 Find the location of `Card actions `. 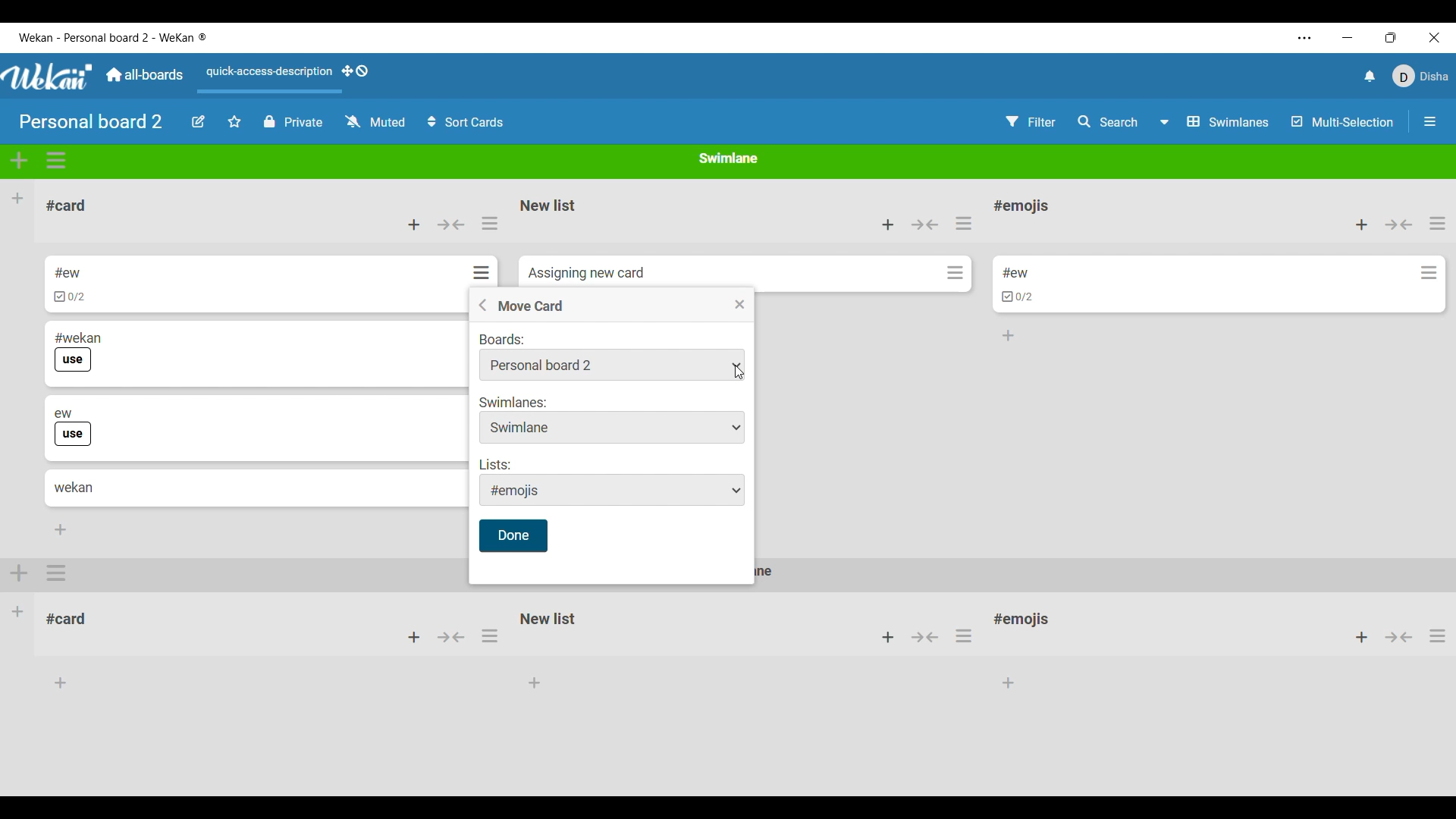

Card actions  is located at coordinates (485, 272).